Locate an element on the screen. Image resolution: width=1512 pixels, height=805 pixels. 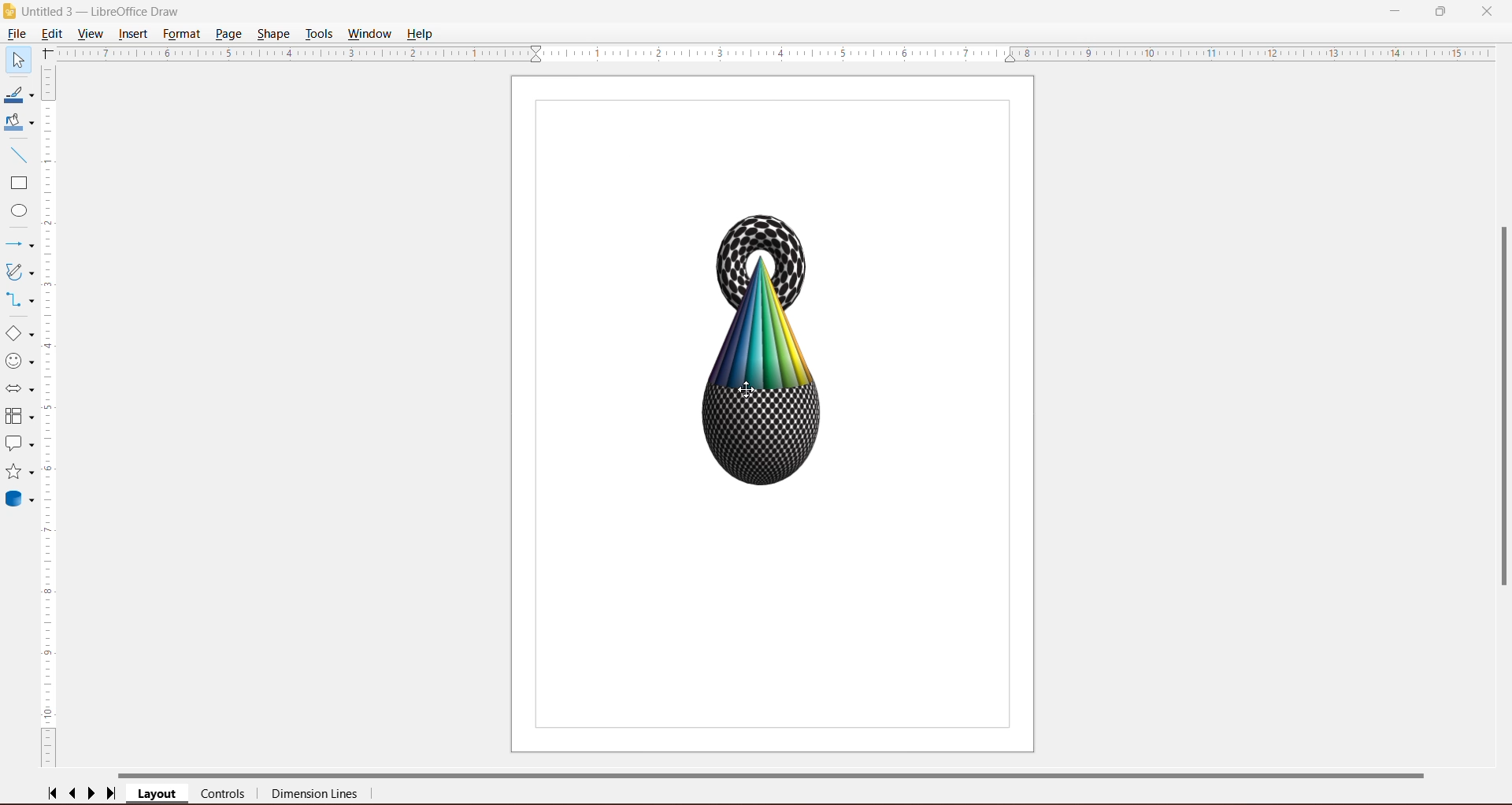
Vertical Scroll Bar is located at coordinates (1503, 409).